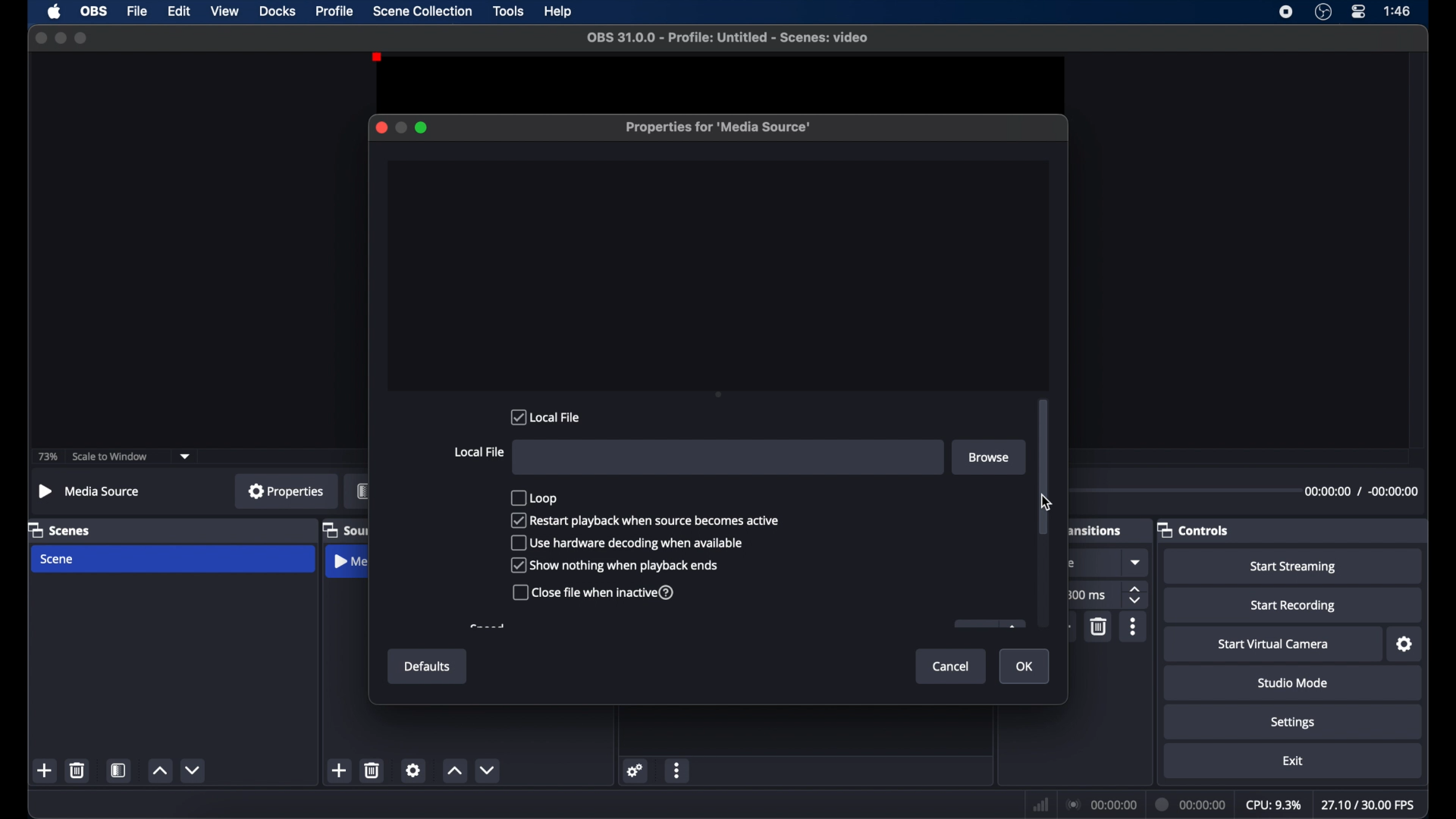 This screenshot has width=1456, height=819. I want to click on increment, so click(453, 770).